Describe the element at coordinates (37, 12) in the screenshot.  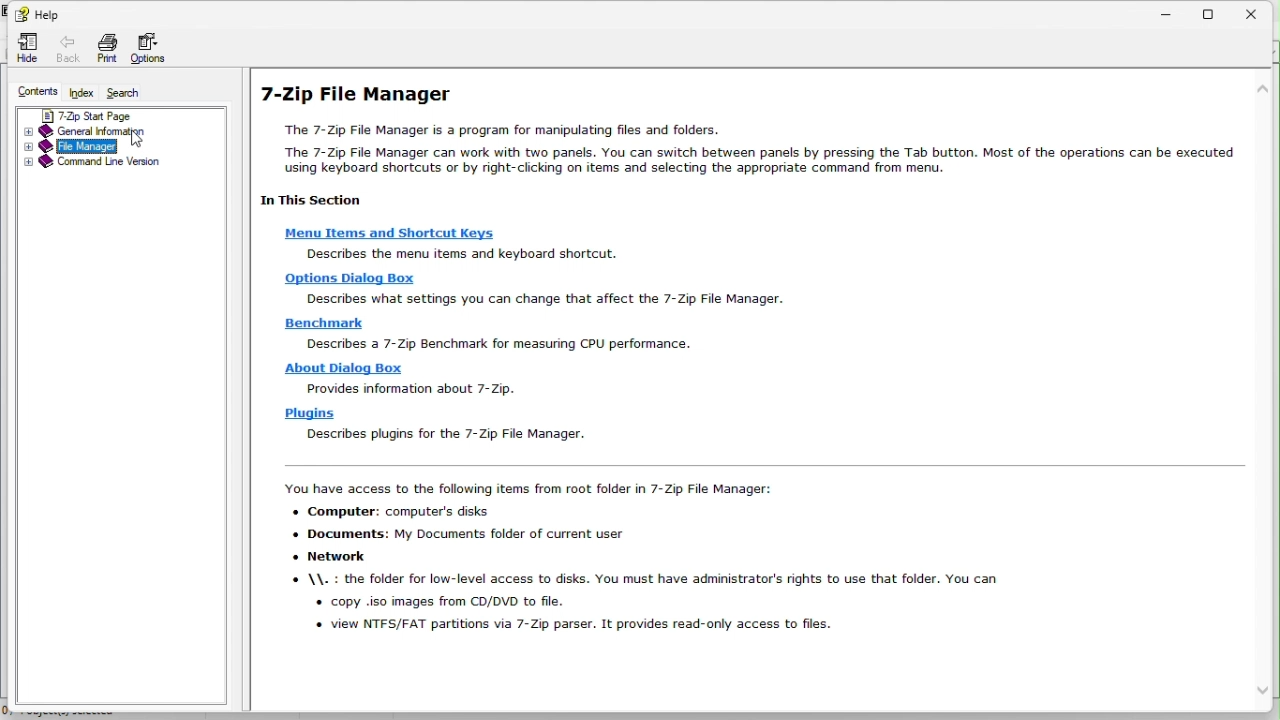
I see `help` at that location.